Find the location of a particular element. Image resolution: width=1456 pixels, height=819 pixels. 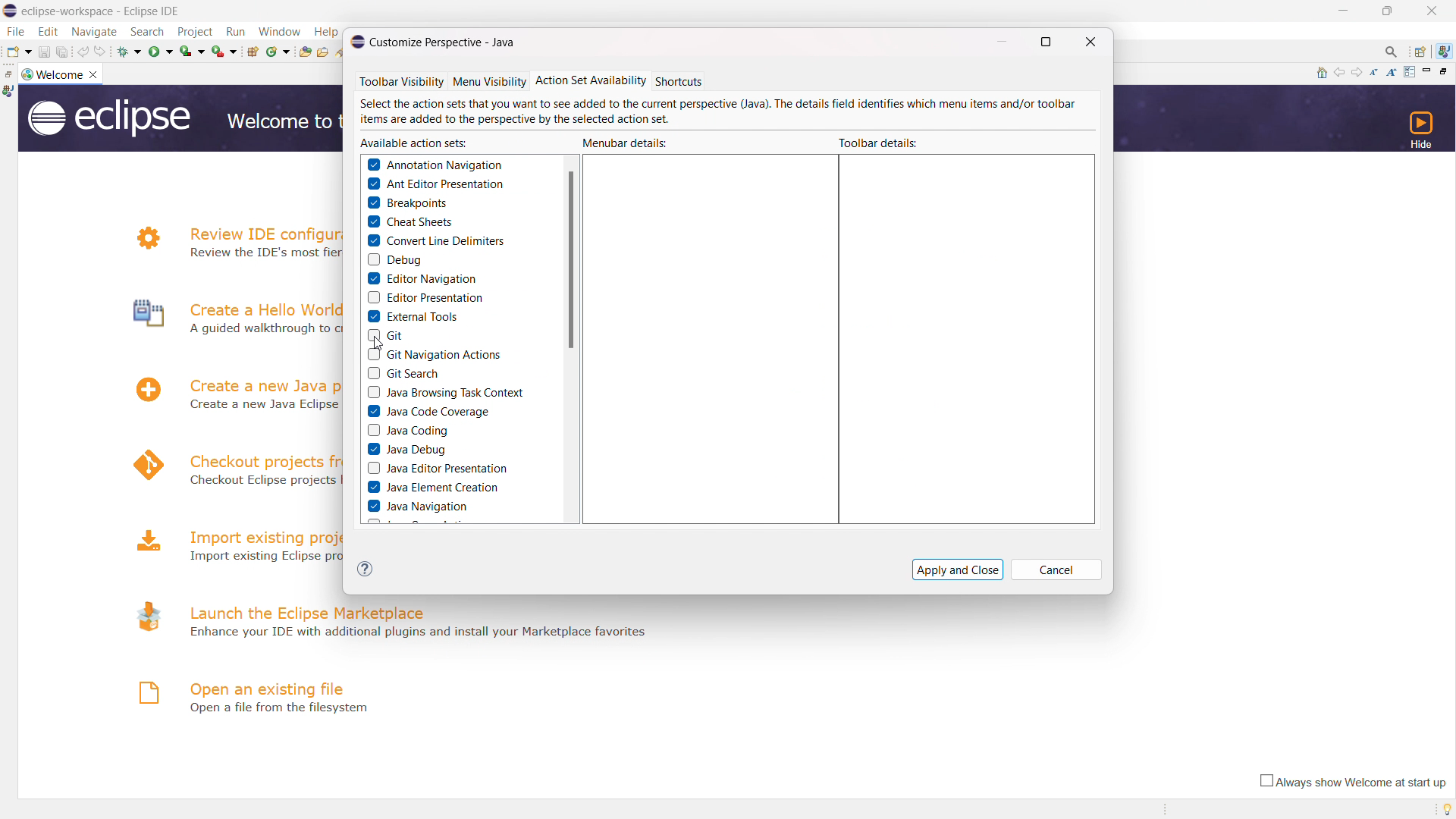

- Enhance your IDE with additional plugins and install your Marketplace favorites is located at coordinates (422, 632).